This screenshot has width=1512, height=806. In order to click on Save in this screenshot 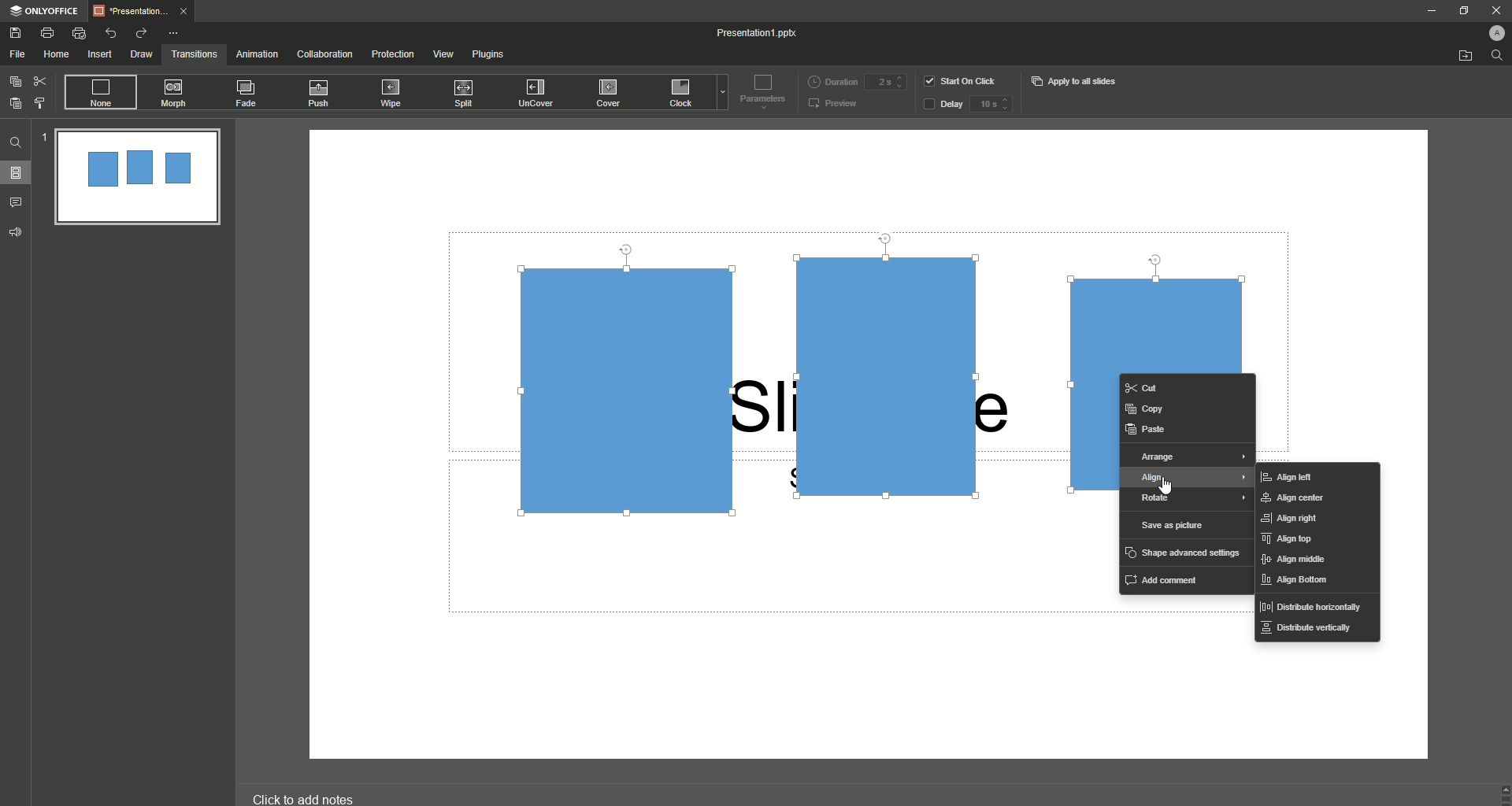, I will do `click(16, 33)`.